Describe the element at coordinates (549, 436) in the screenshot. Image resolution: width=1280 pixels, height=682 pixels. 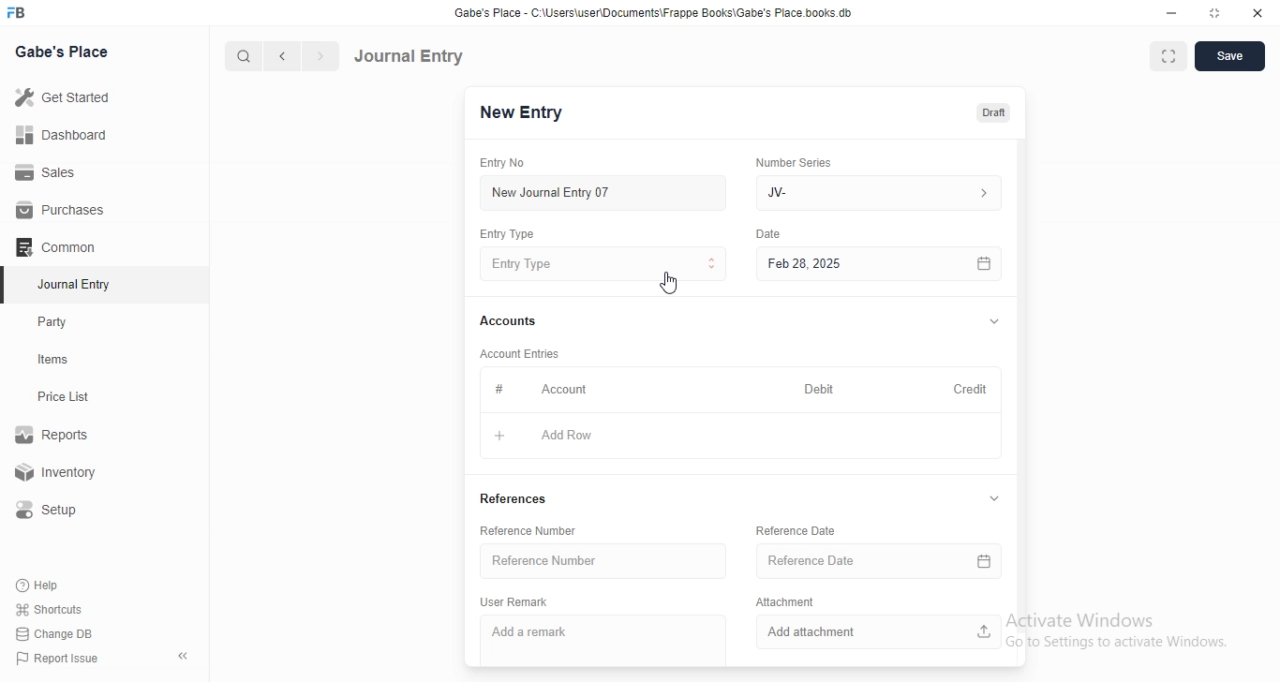
I see `+ AddRow` at that location.